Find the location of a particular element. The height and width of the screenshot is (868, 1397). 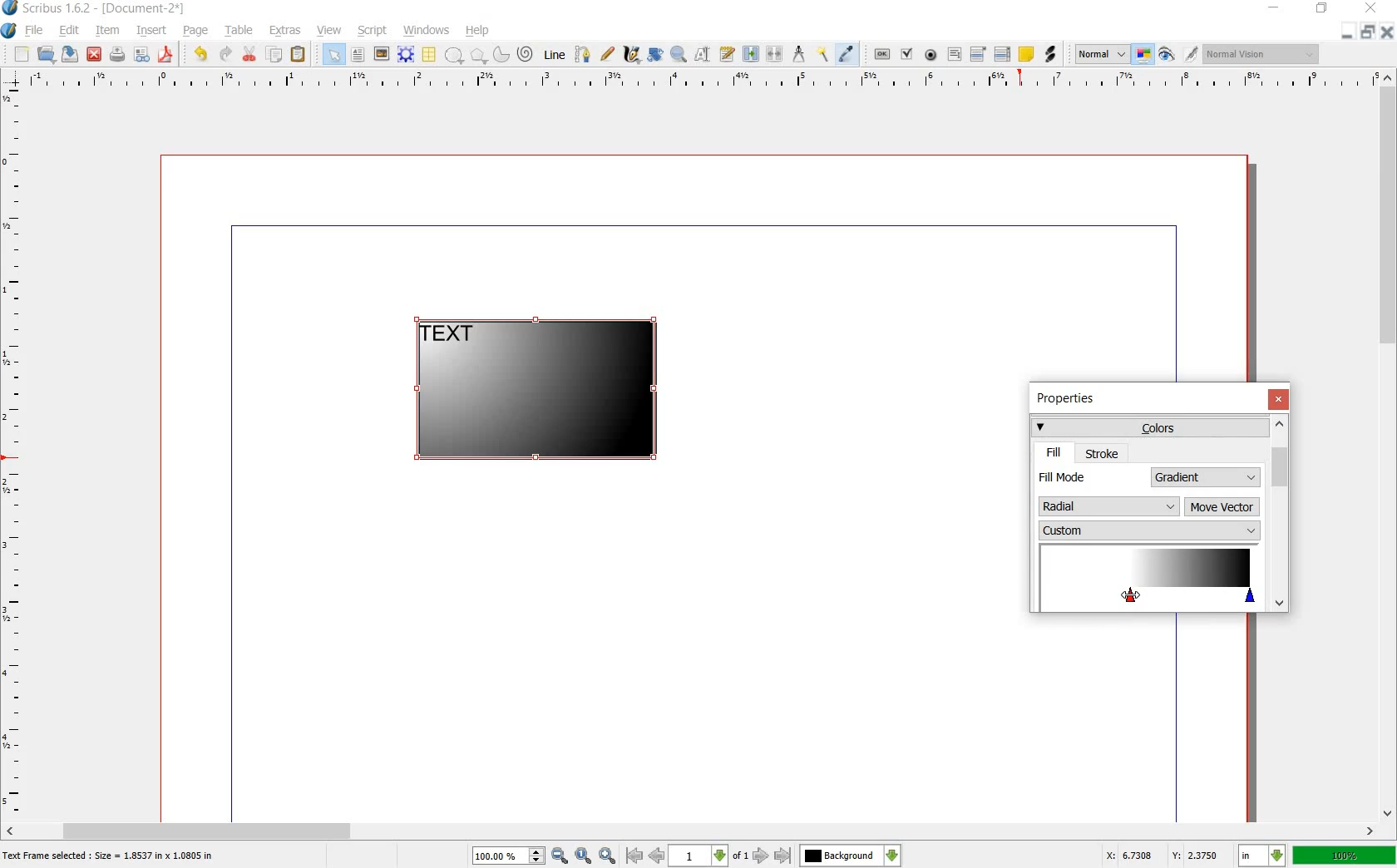

select item is located at coordinates (333, 54).